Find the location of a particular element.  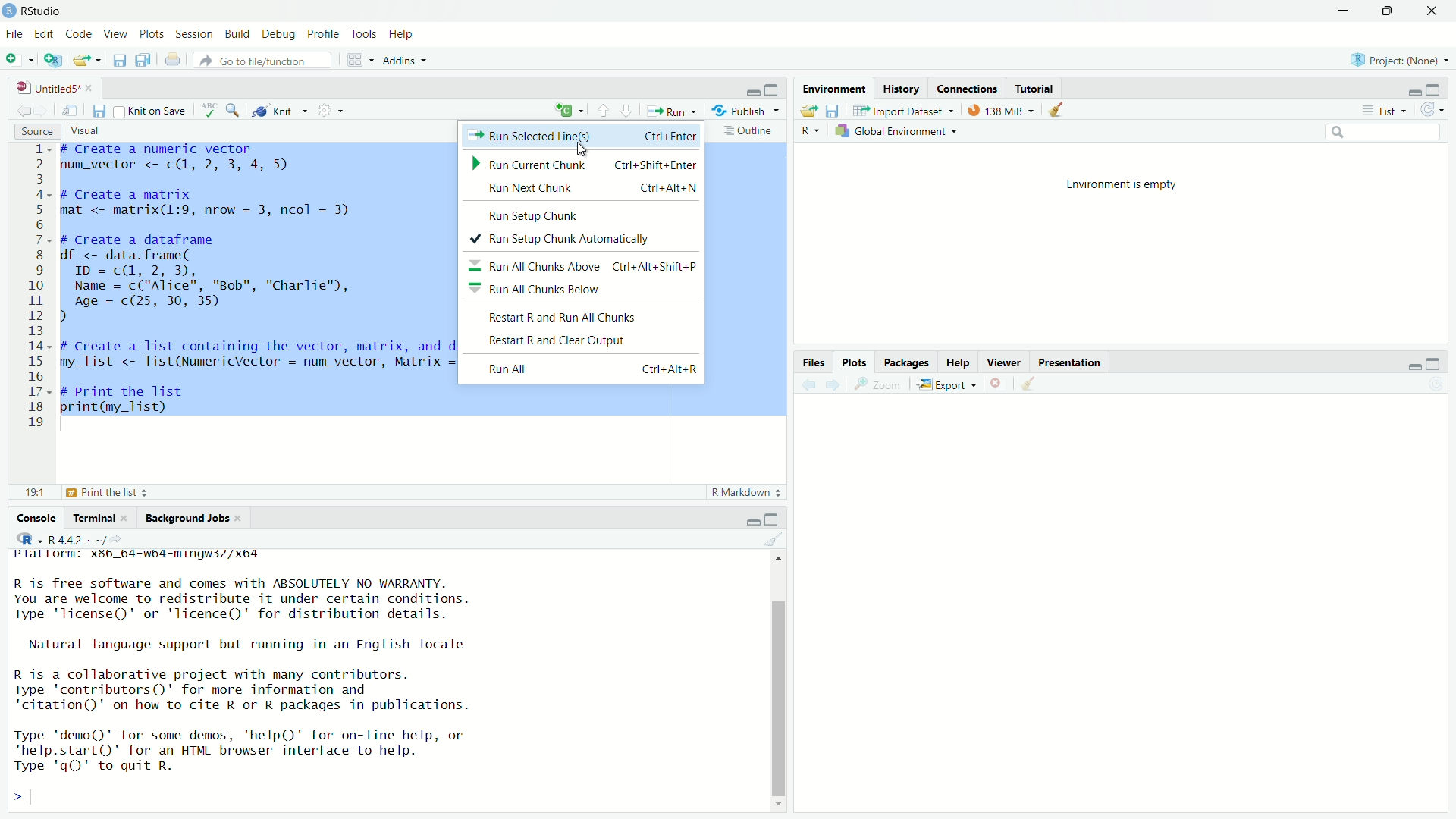

cursor is located at coordinates (588, 149).